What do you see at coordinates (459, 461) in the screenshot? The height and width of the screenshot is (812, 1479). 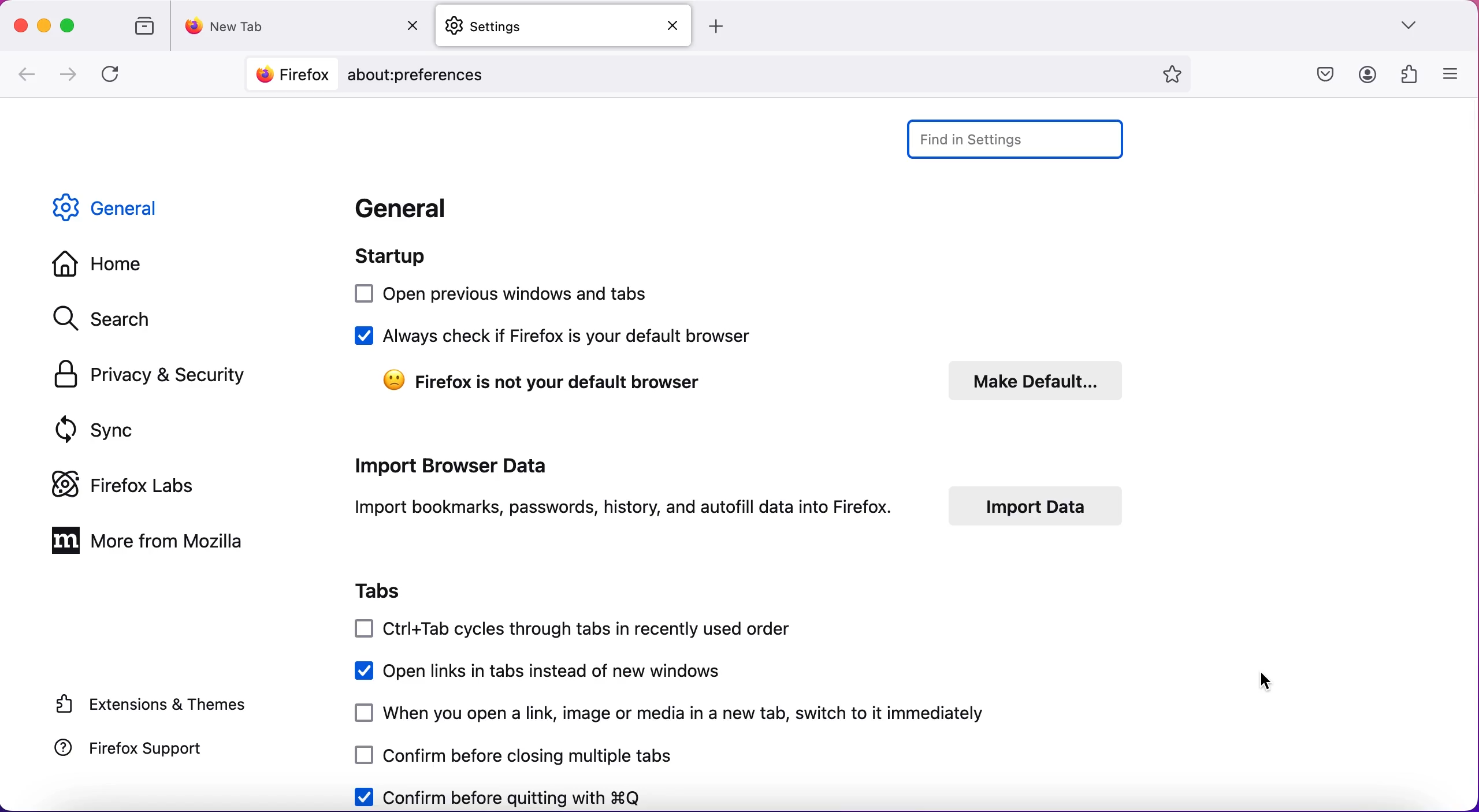 I see `import browser data` at bounding box center [459, 461].